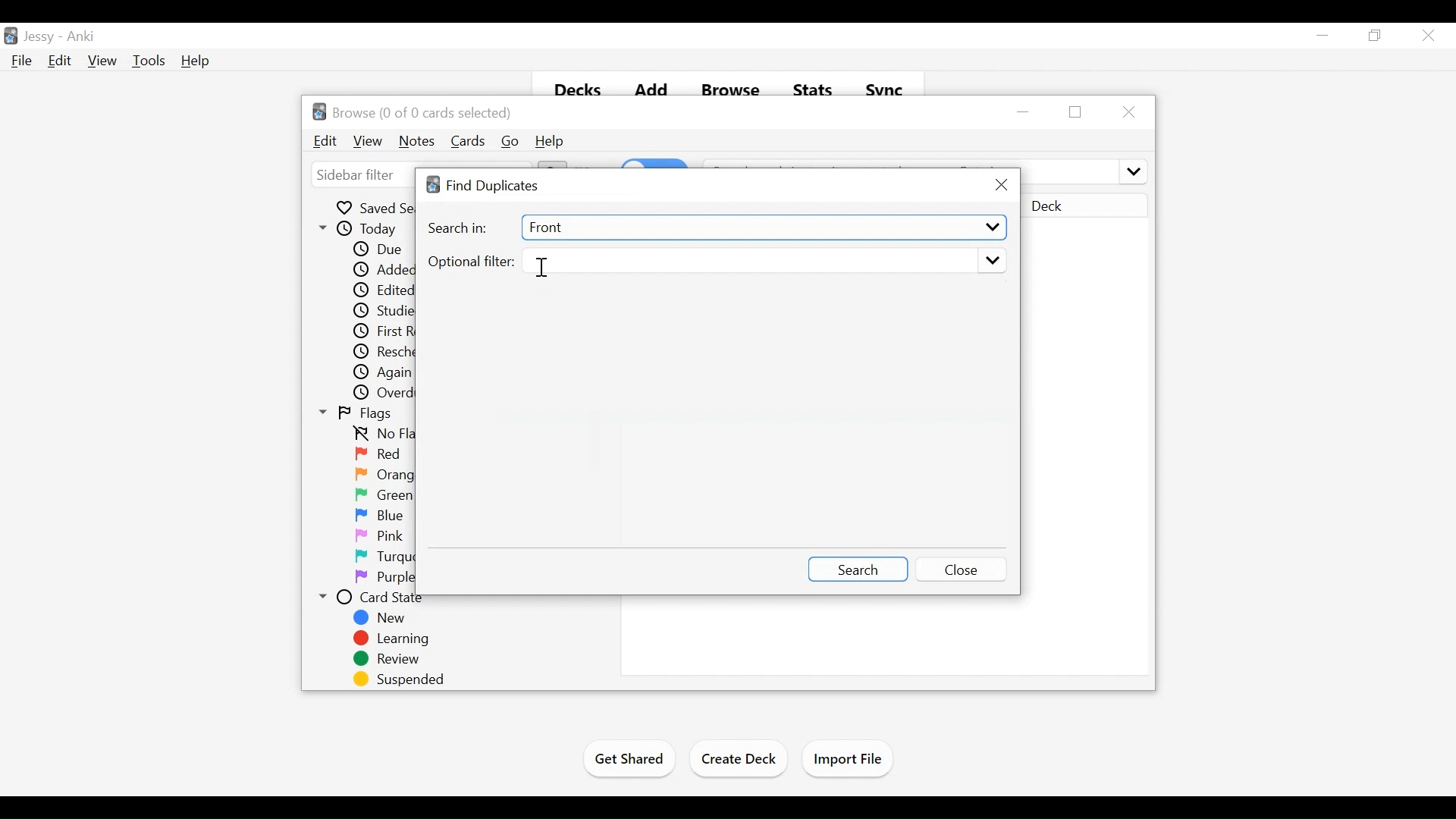  What do you see at coordinates (485, 186) in the screenshot?
I see `Find Duplicates` at bounding box center [485, 186].